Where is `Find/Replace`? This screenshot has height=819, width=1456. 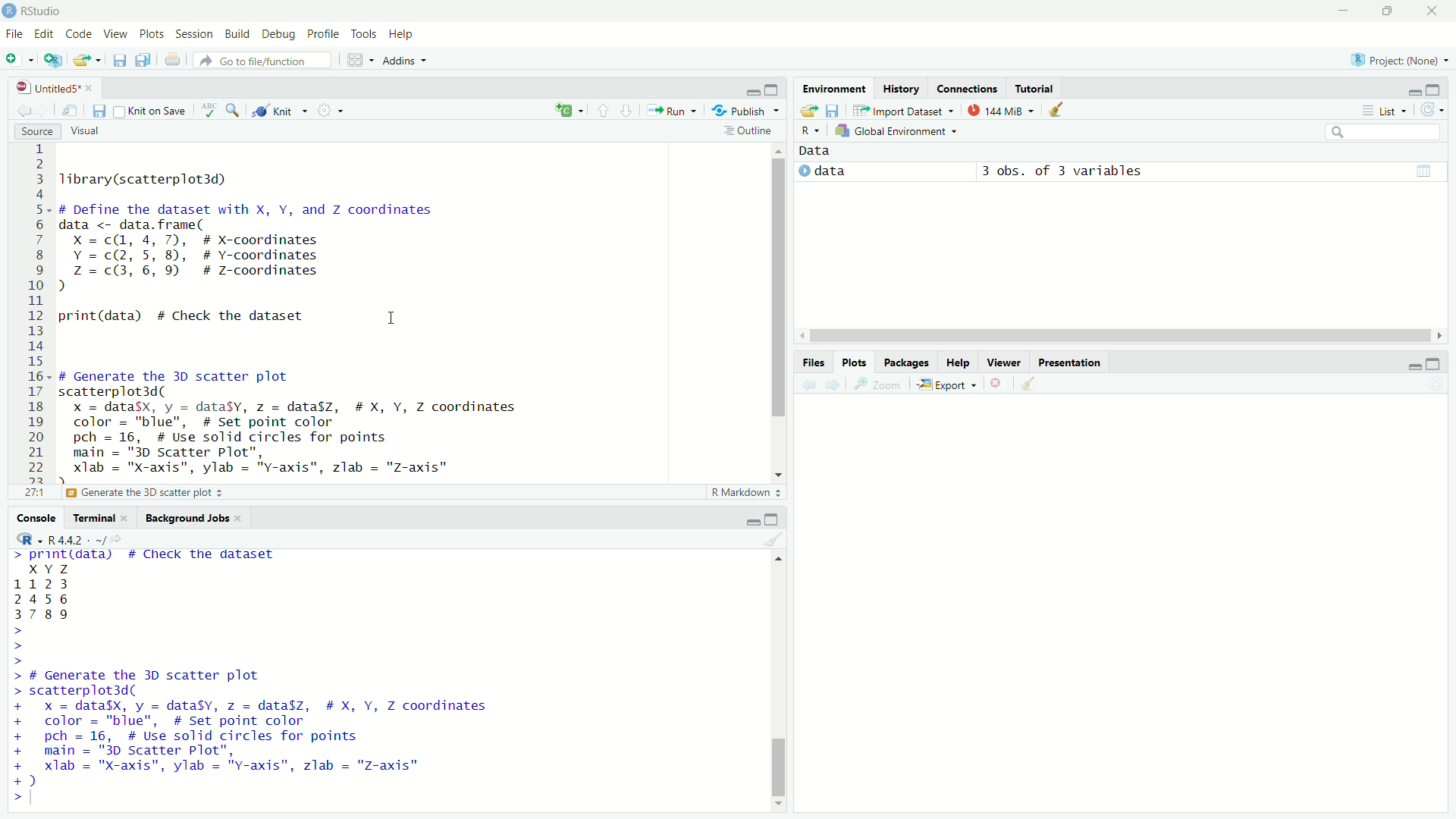 Find/Replace is located at coordinates (236, 111).